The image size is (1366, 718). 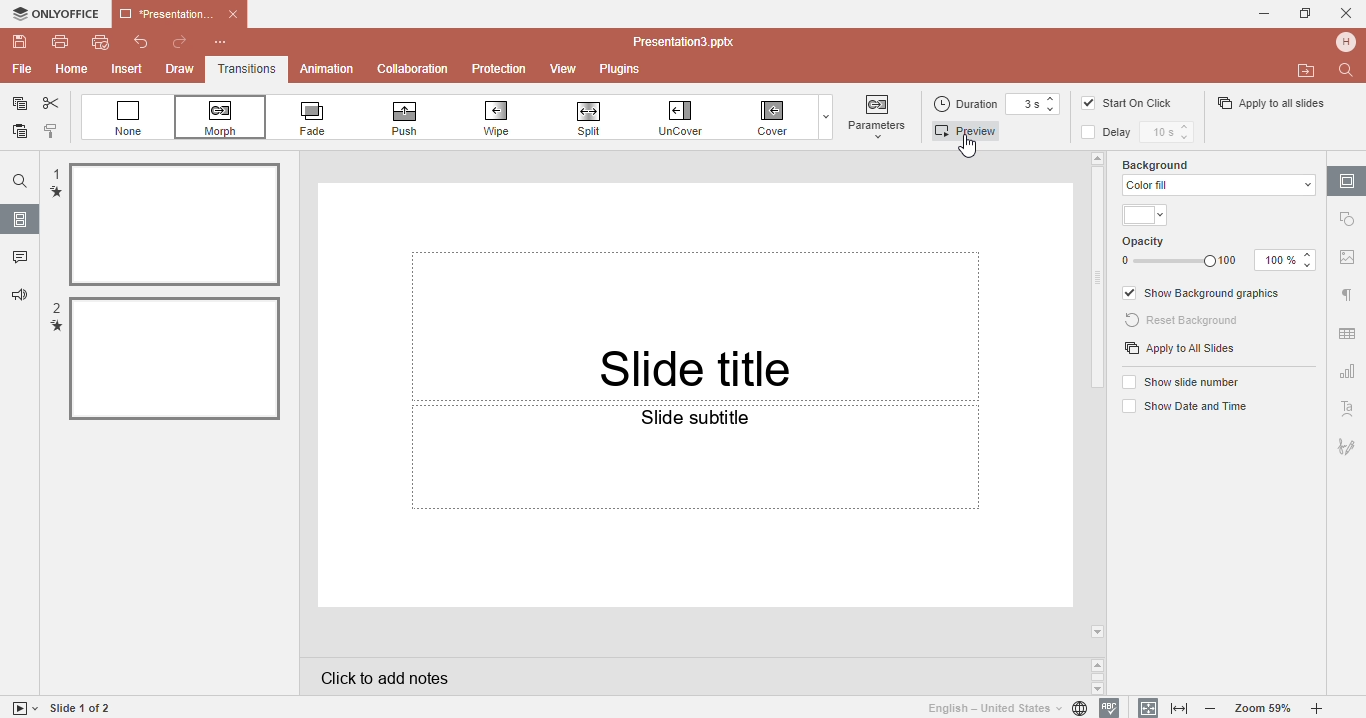 What do you see at coordinates (1264, 708) in the screenshot?
I see `Zoom` at bounding box center [1264, 708].